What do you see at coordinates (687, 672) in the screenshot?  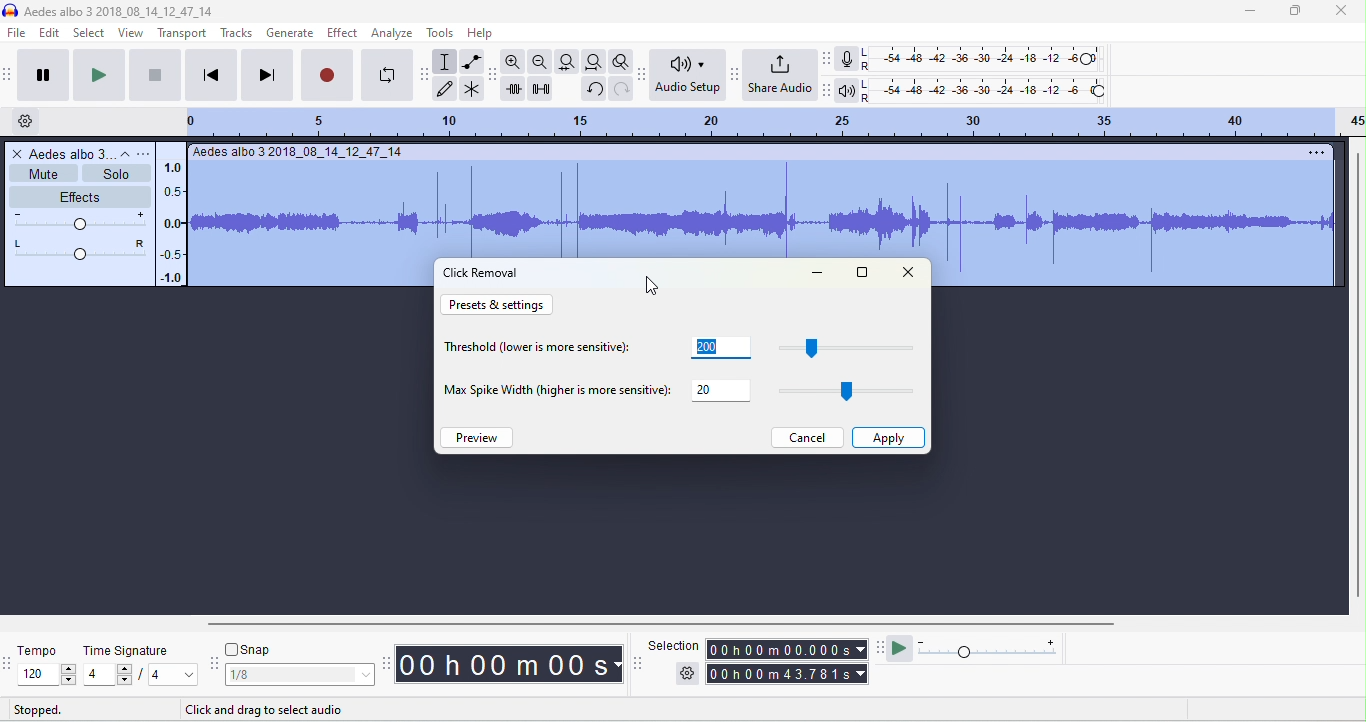 I see `selection options` at bounding box center [687, 672].